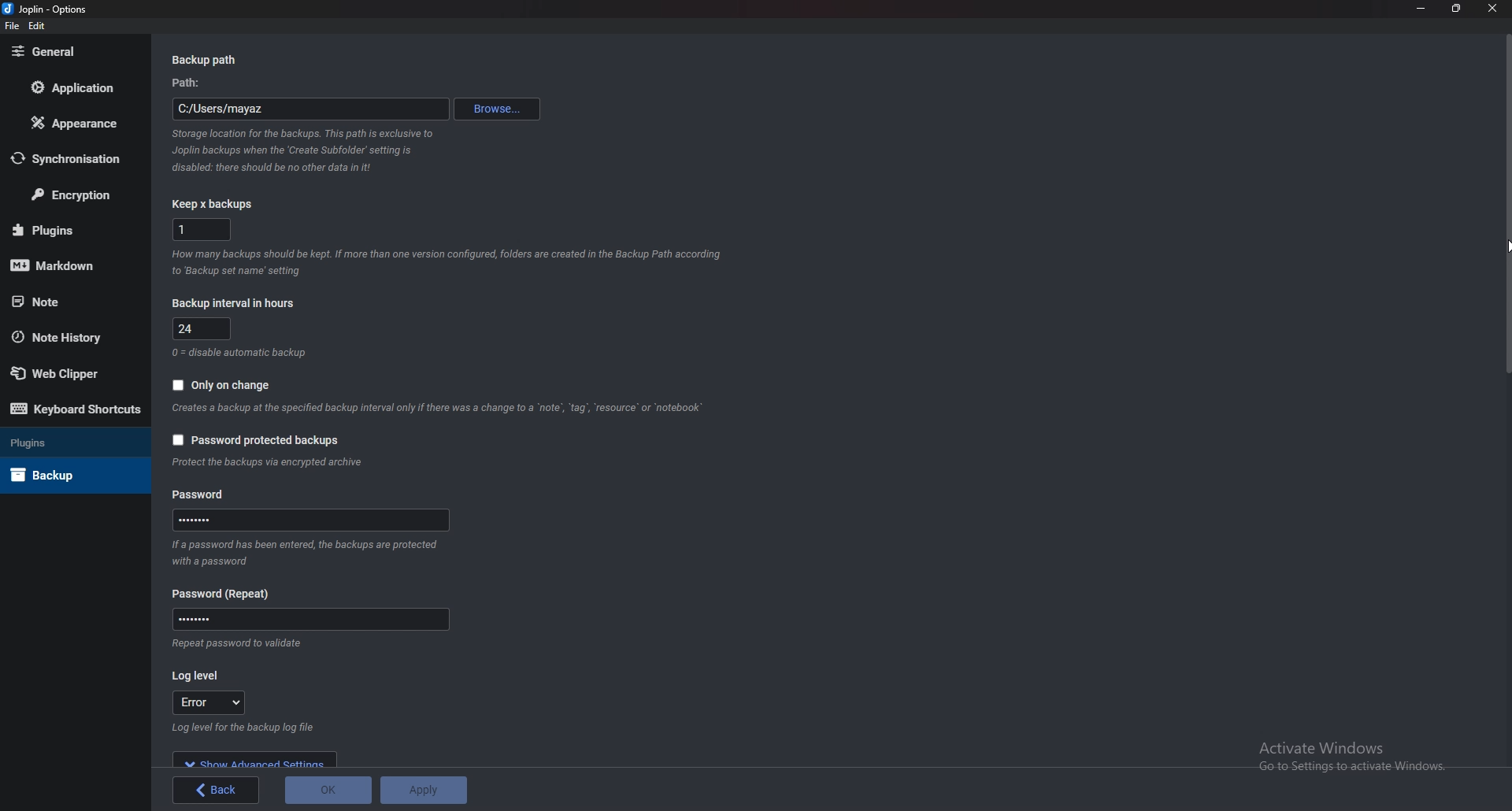 The height and width of the screenshot is (811, 1512). Describe the element at coordinates (199, 677) in the screenshot. I see `Log level` at that location.